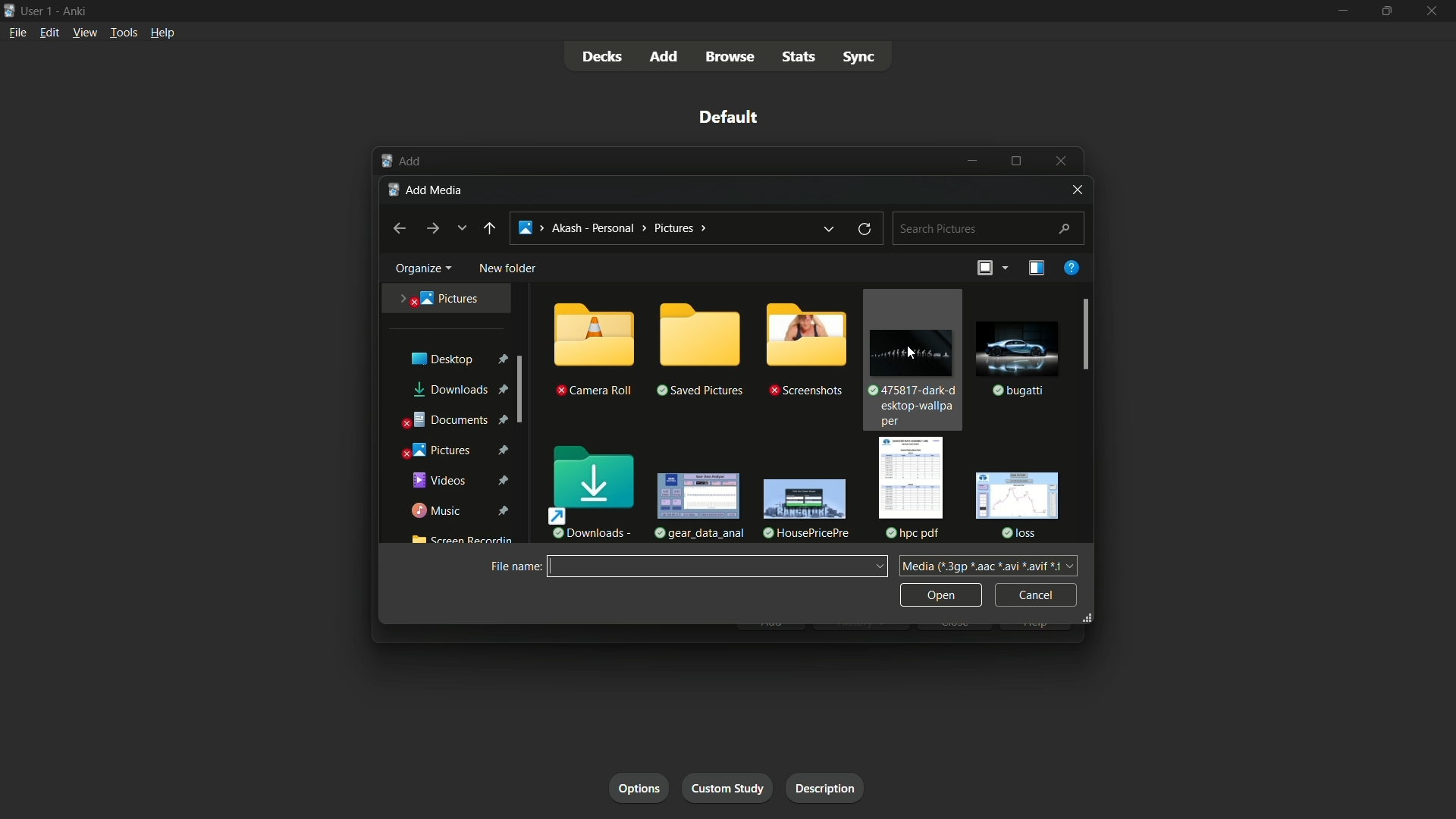 This screenshot has height=819, width=1456. What do you see at coordinates (981, 268) in the screenshot?
I see `change the view` at bounding box center [981, 268].